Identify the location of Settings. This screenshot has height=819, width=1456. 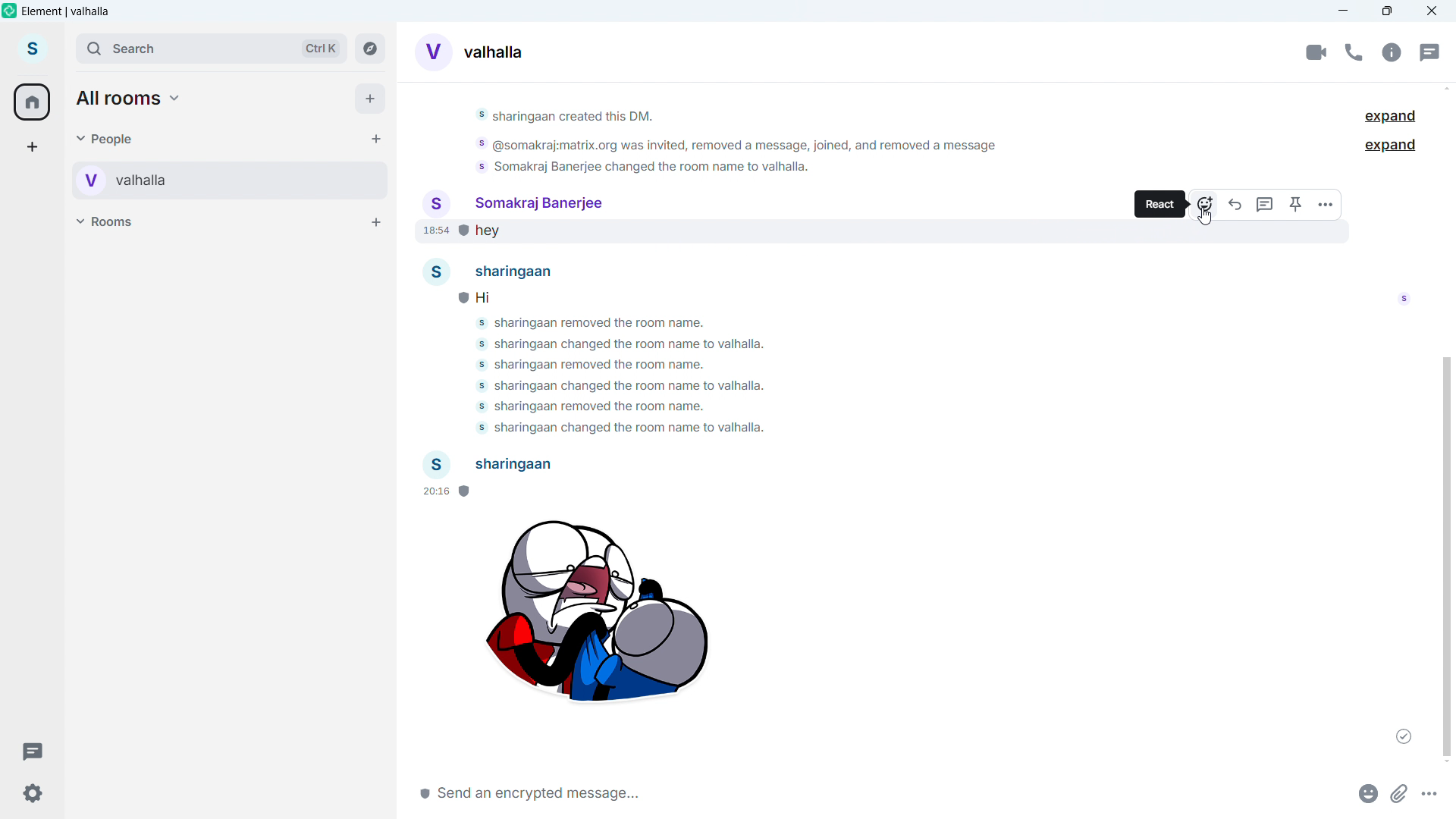
(29, 797).